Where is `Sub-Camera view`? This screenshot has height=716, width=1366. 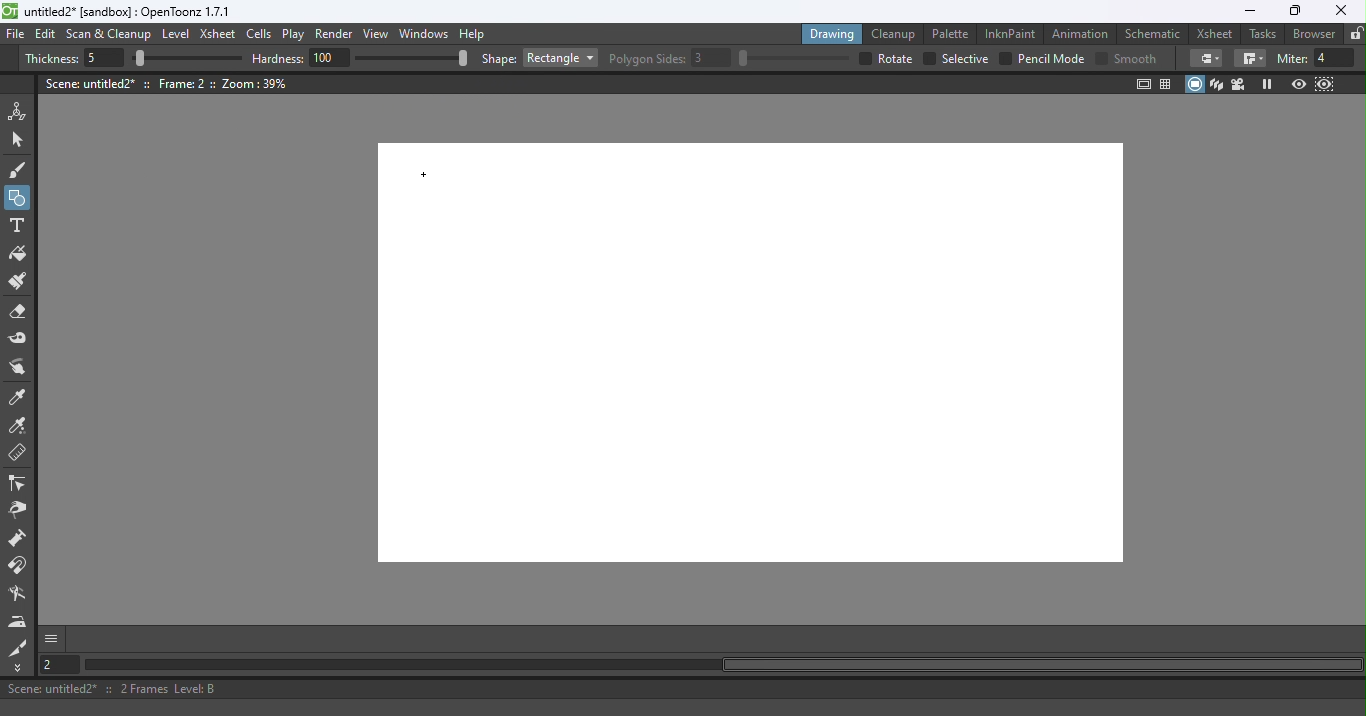
Sub-Camera view is located at coordinates (1326, 84).